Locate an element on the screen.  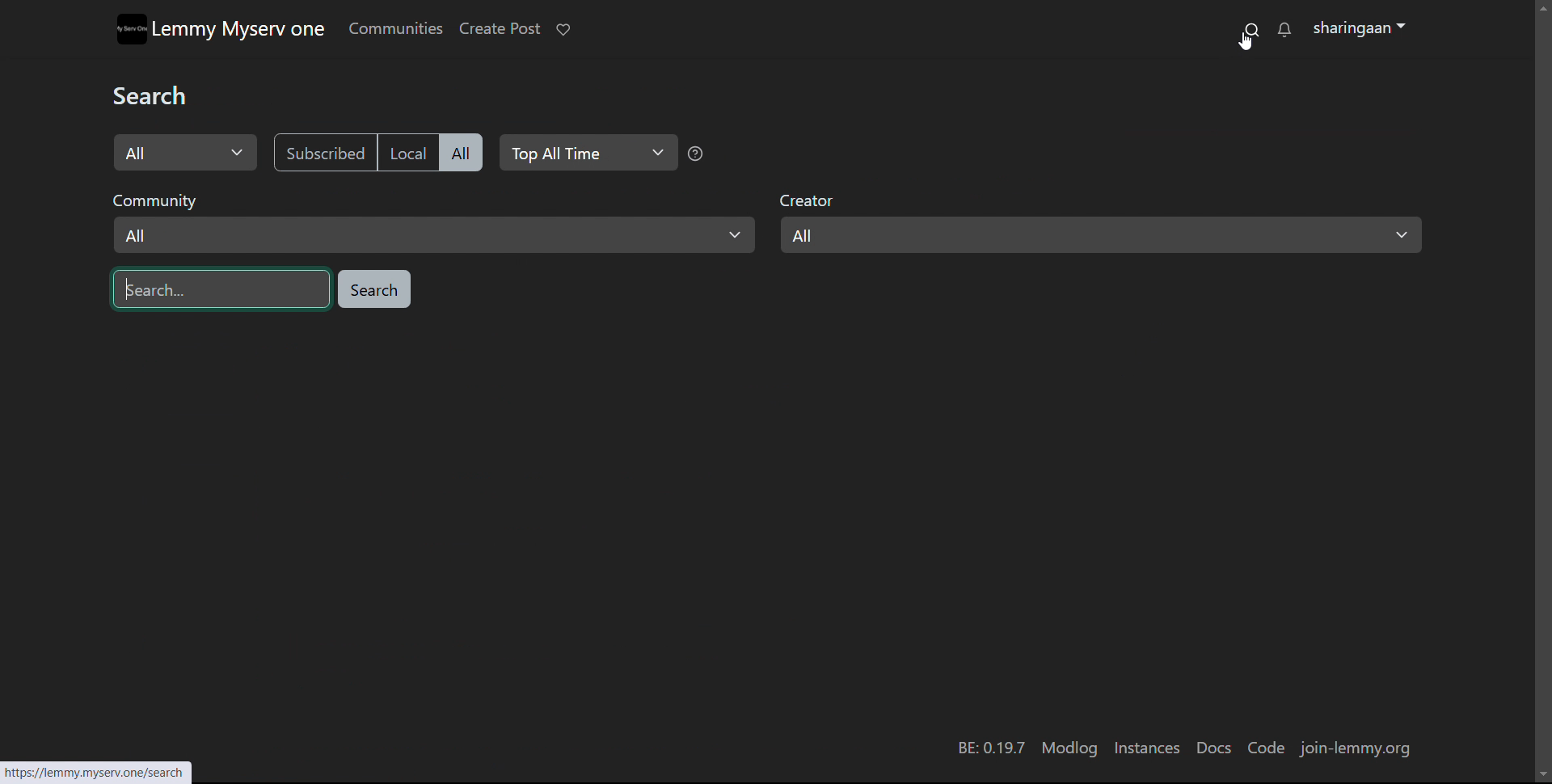
join-lemmy.org is located at coordinates (1358, 748).